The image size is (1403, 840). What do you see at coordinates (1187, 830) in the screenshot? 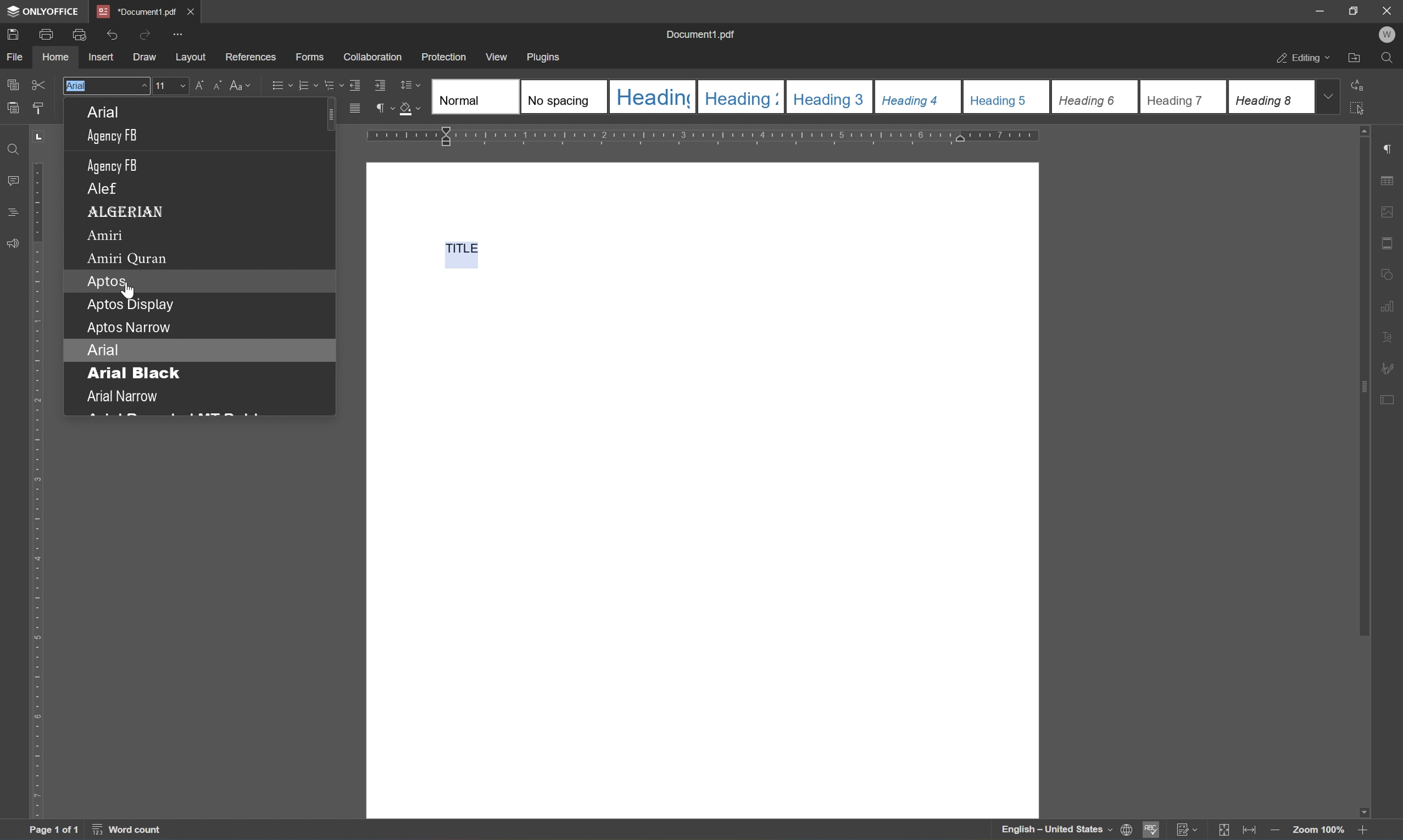
I see `track changes` at bounding box center [1187, 830].